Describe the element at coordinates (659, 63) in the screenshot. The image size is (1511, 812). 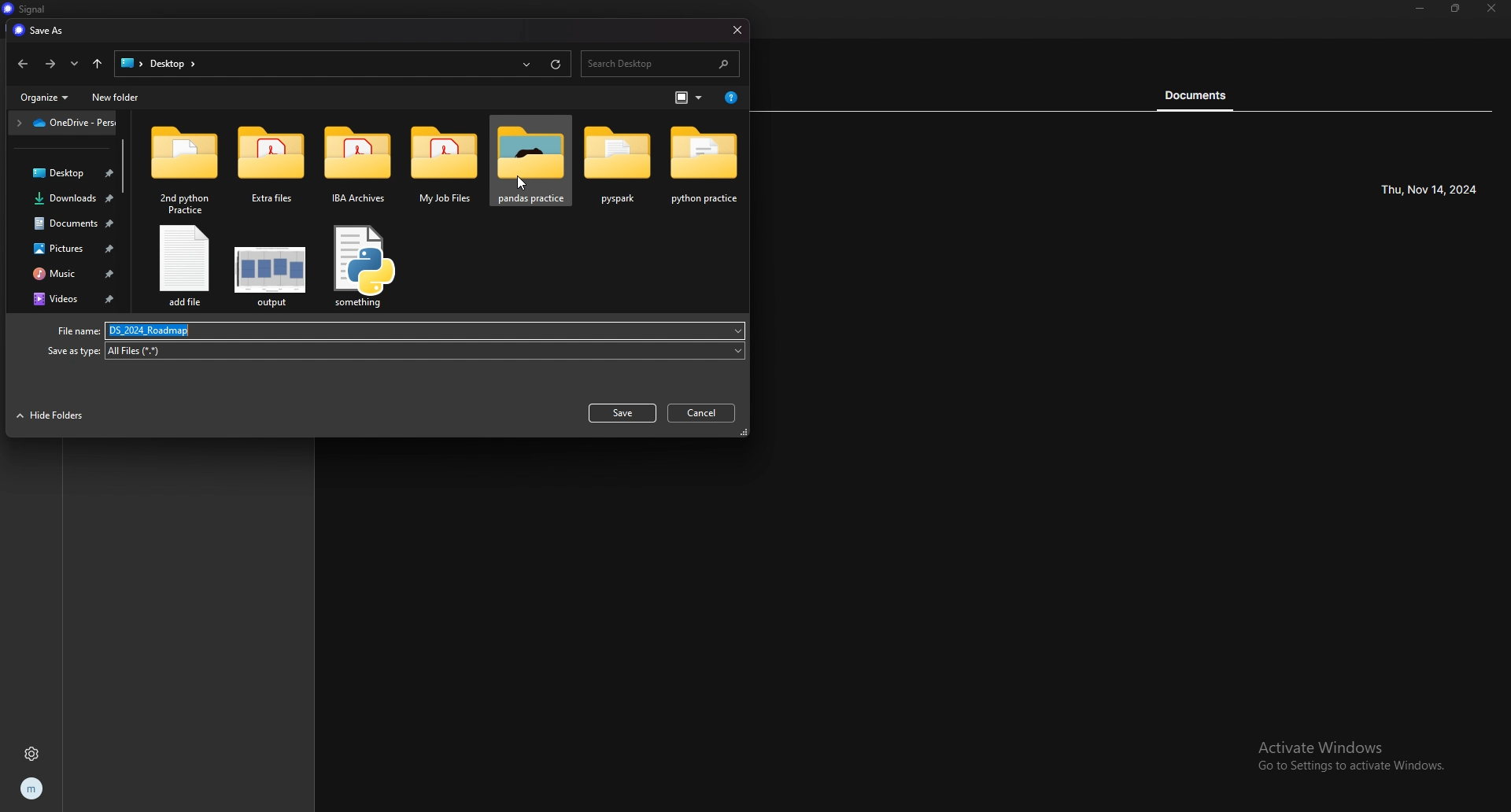
I see `search desktop` at that location.